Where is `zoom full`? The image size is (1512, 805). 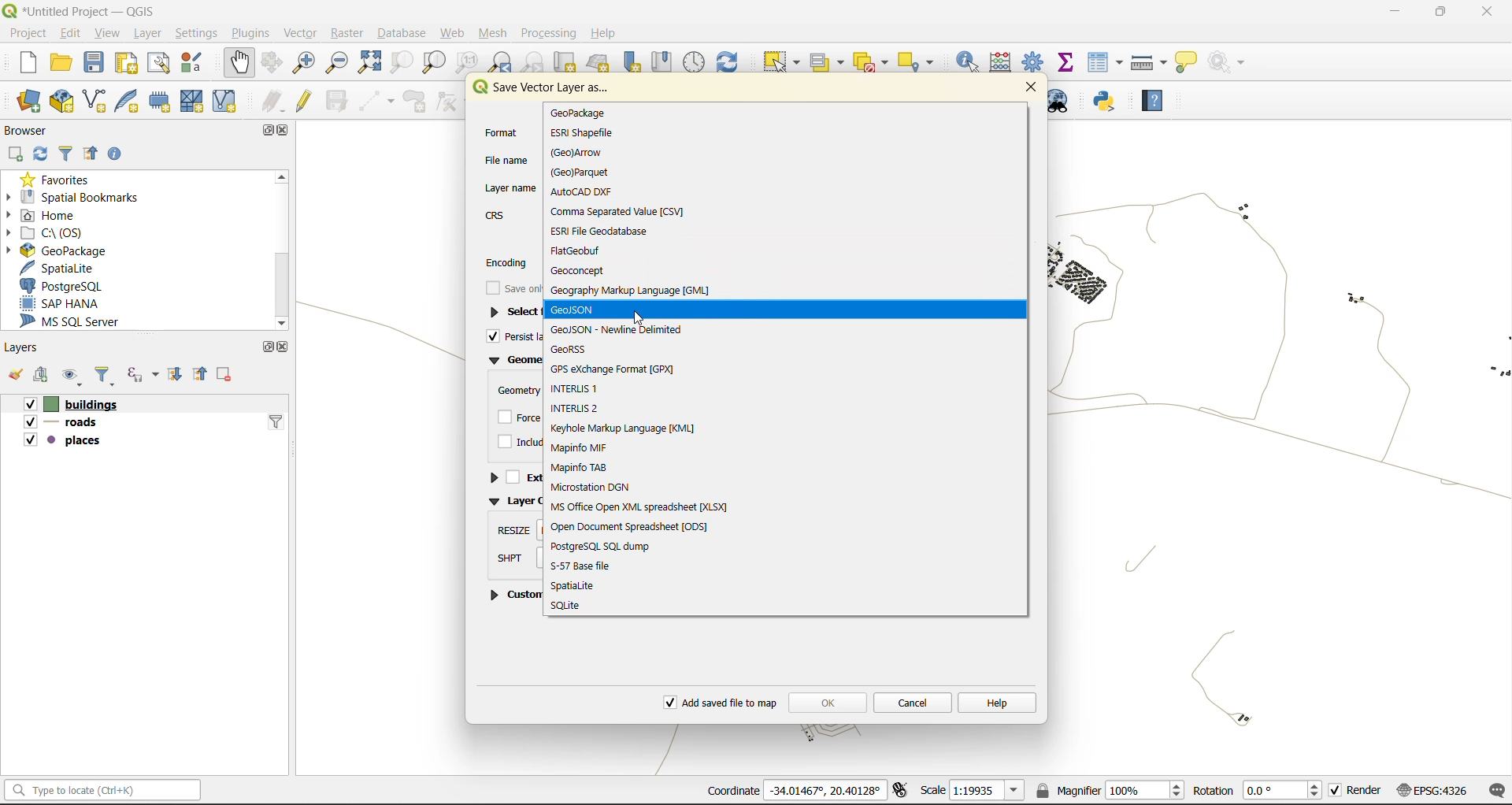 zoom full is located at coordinates (369, 62).